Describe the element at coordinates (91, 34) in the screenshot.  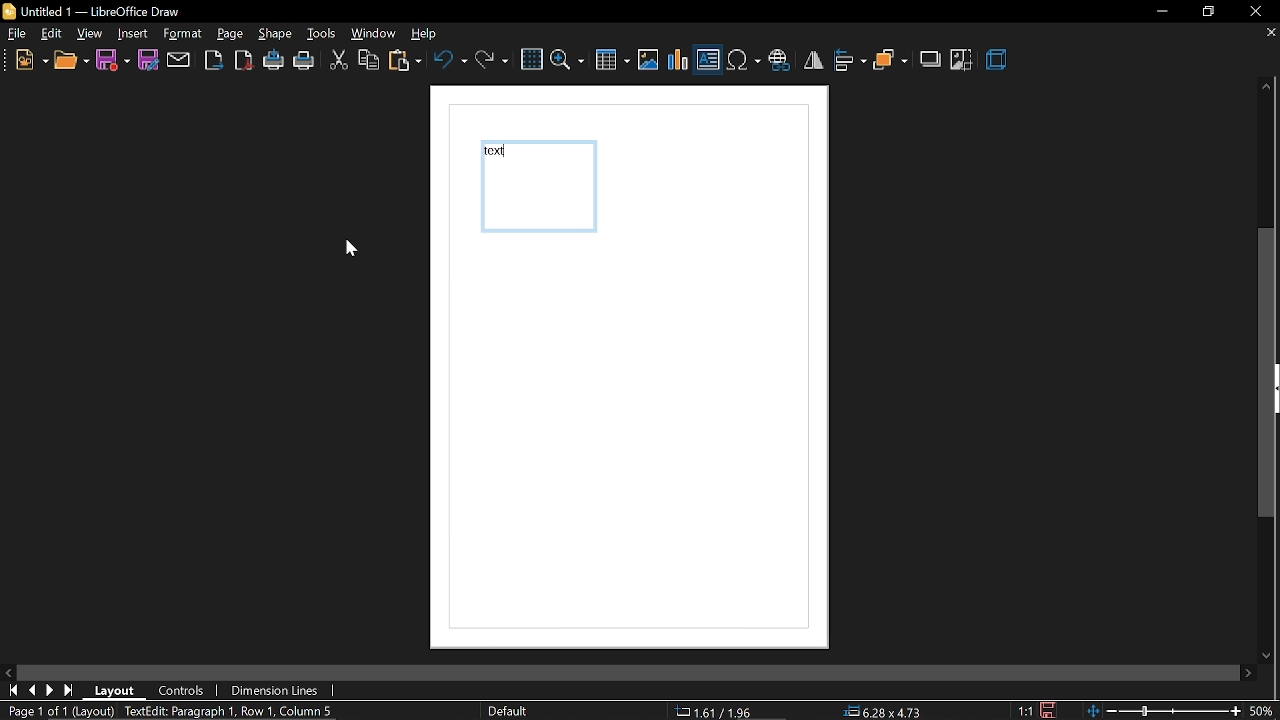
I see `view` at that location.